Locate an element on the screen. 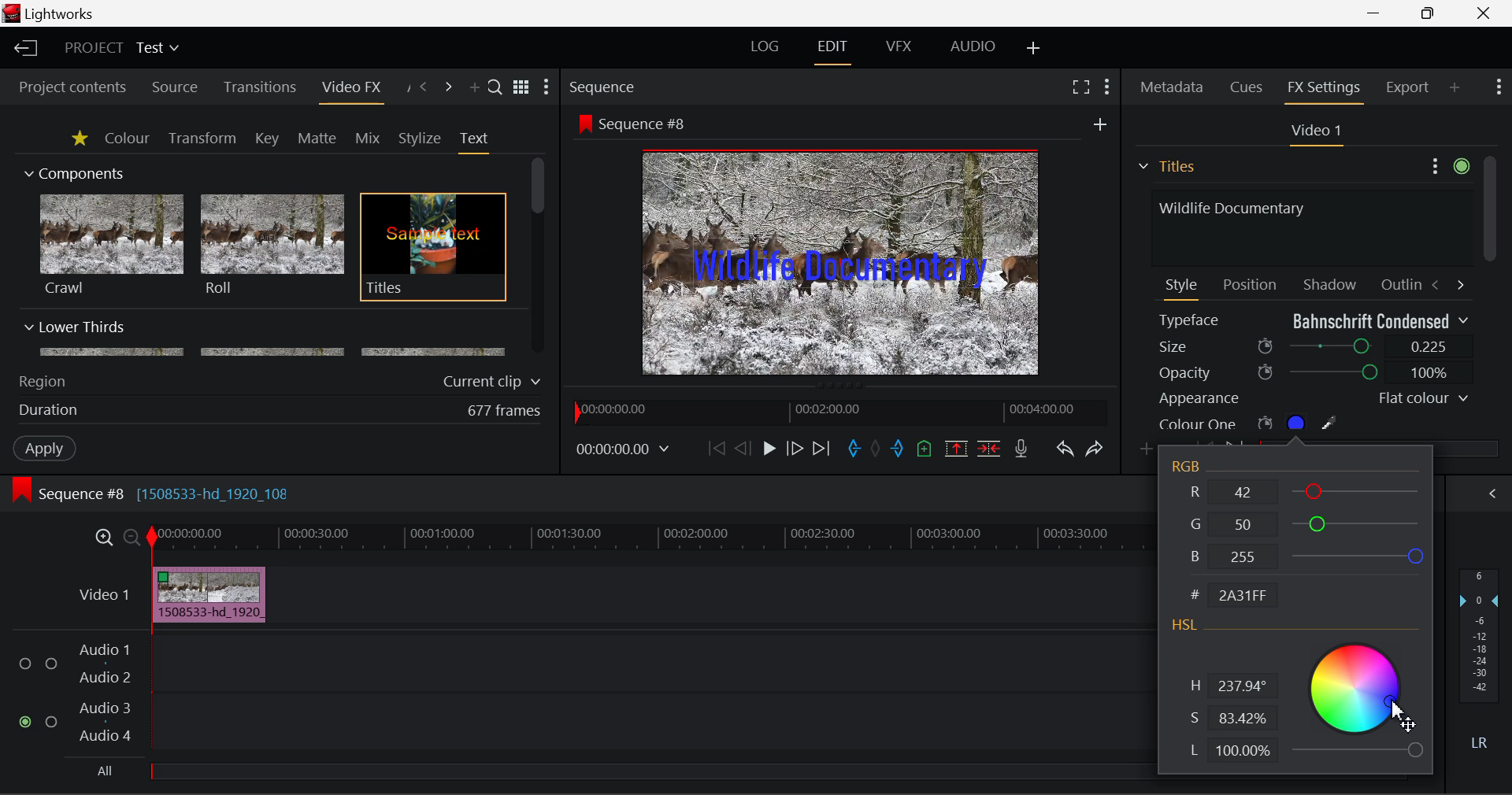 This screenshot has width=1512, height=795. Typeface is located at coordinates (1314, 320).